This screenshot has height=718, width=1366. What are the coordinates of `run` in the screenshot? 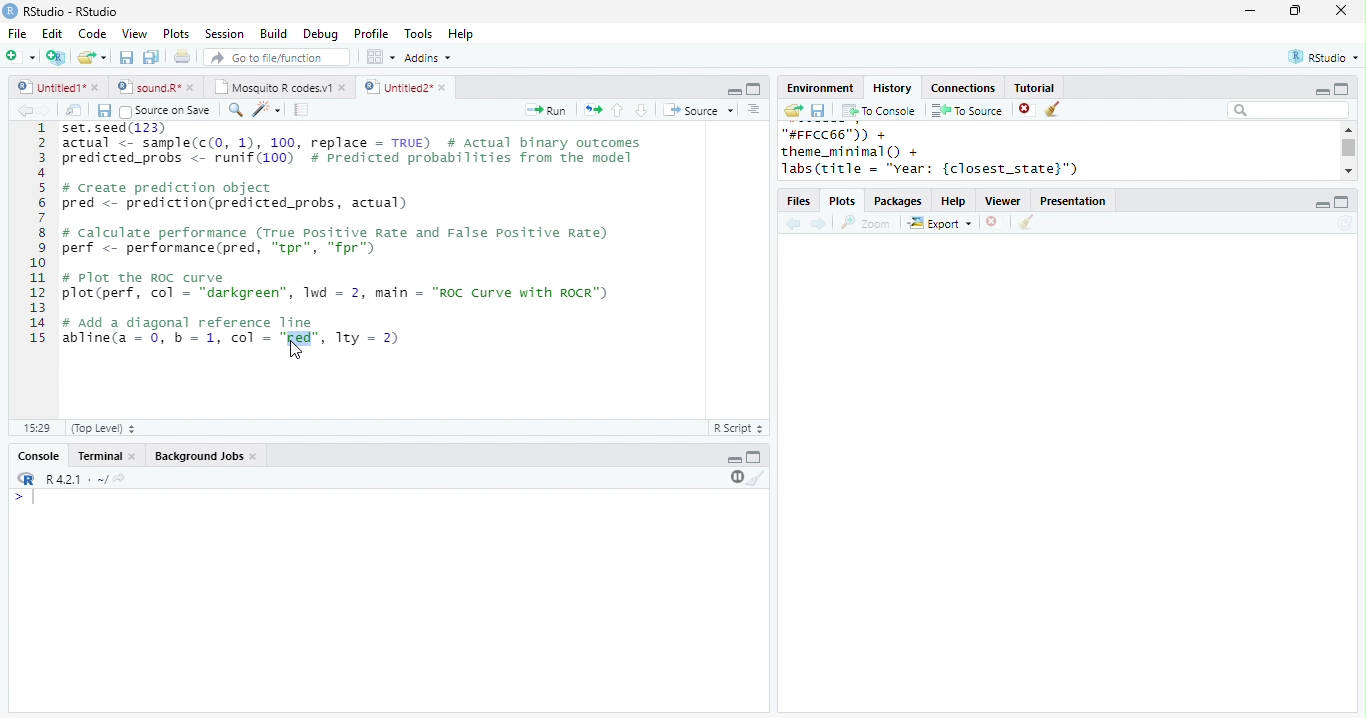 It's located at (545, 110).